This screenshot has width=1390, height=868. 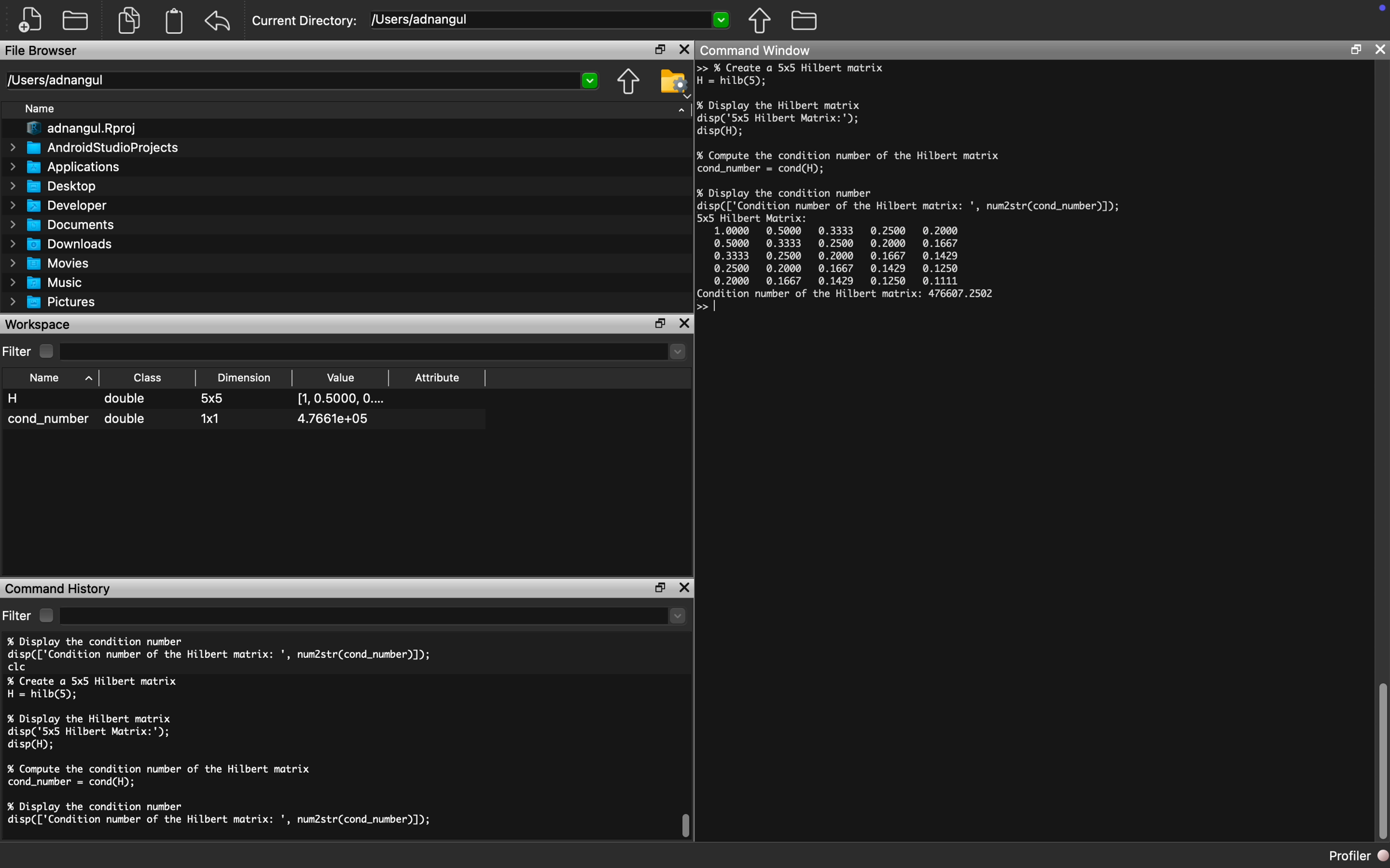 I want to click on Folder Setting, so click(x=674, y=82).